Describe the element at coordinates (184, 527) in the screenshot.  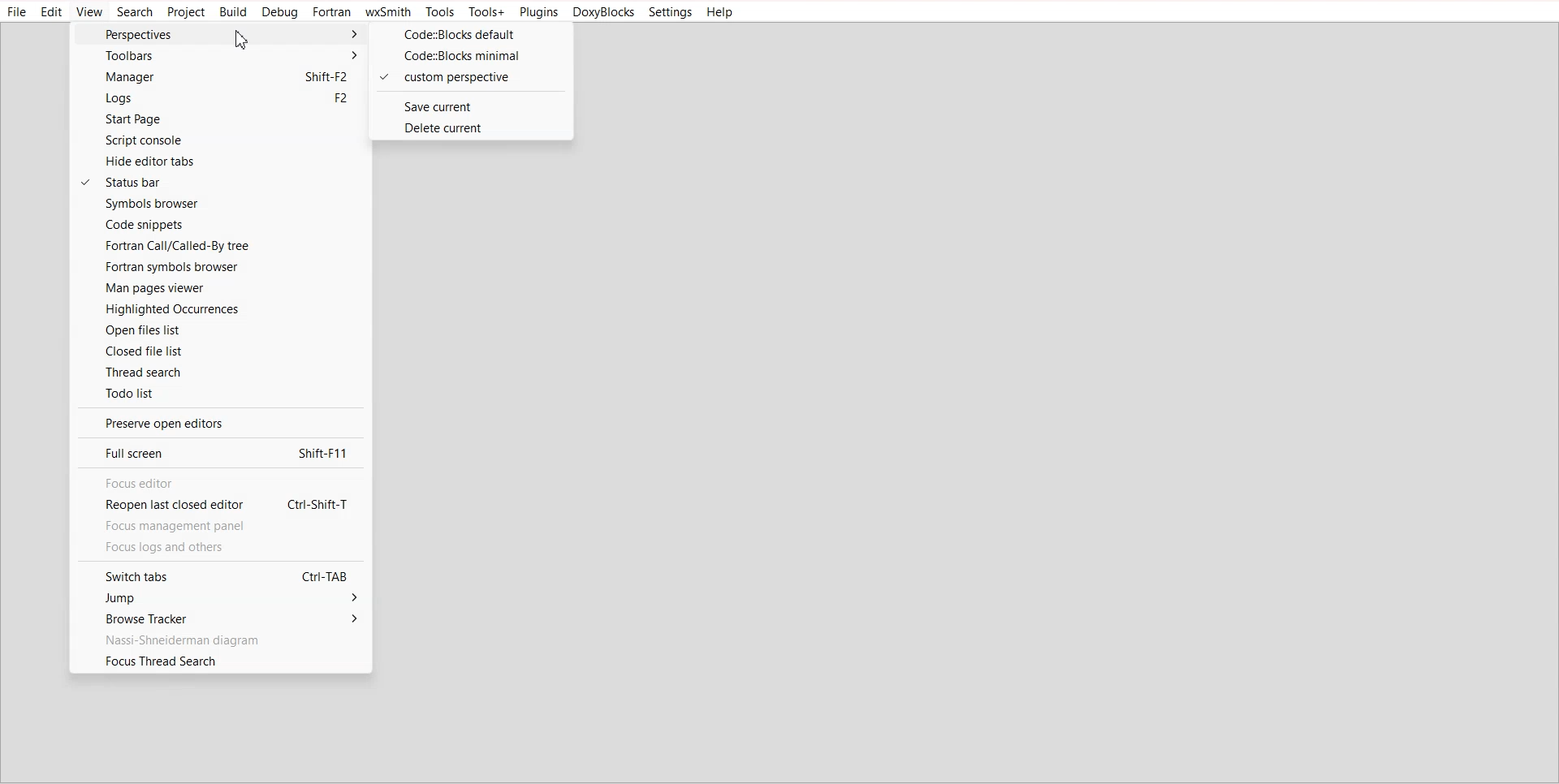
I see `Focus management panel` at that location.